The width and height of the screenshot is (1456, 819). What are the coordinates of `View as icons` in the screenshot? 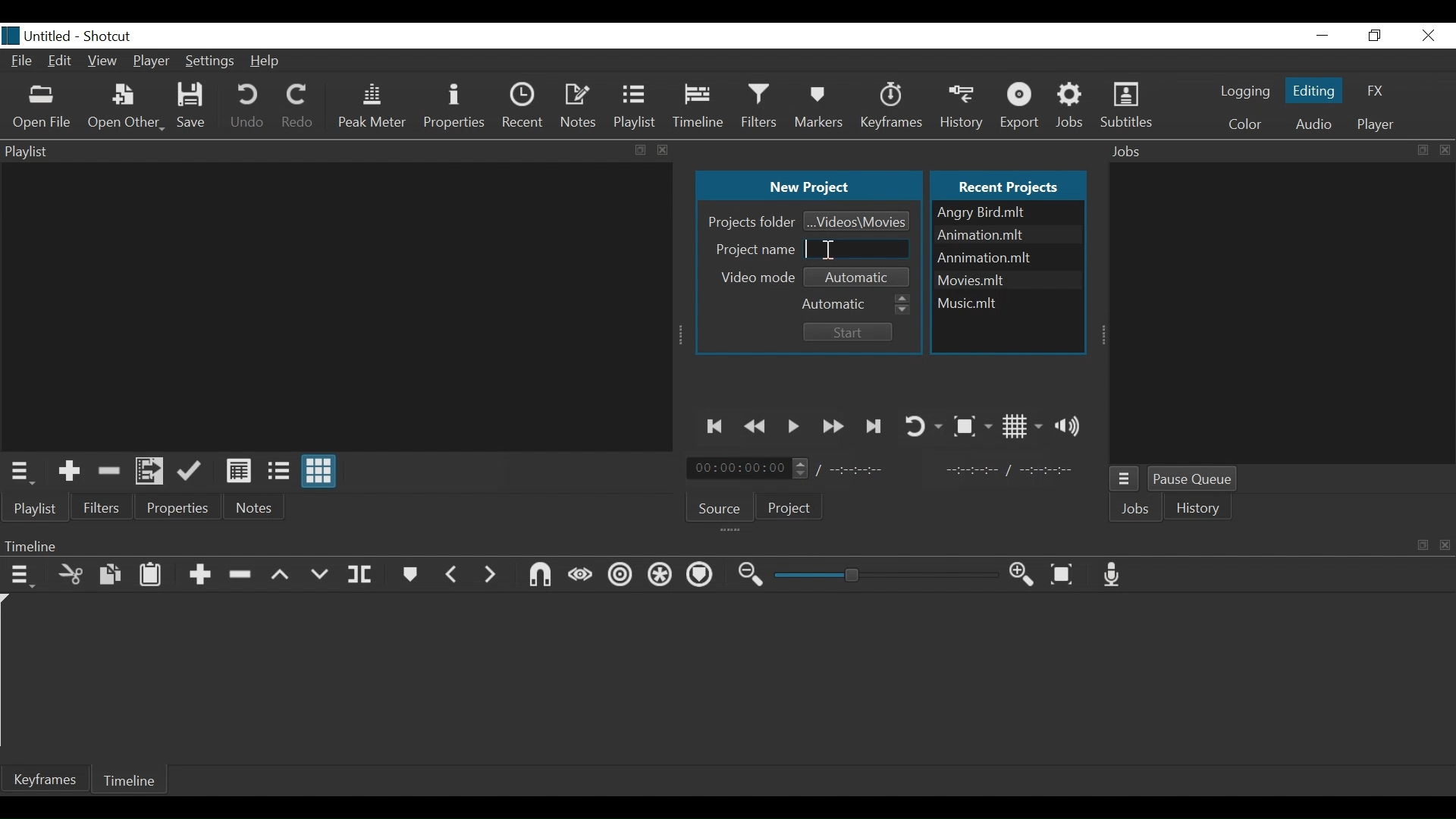 It's located at (321, 473).